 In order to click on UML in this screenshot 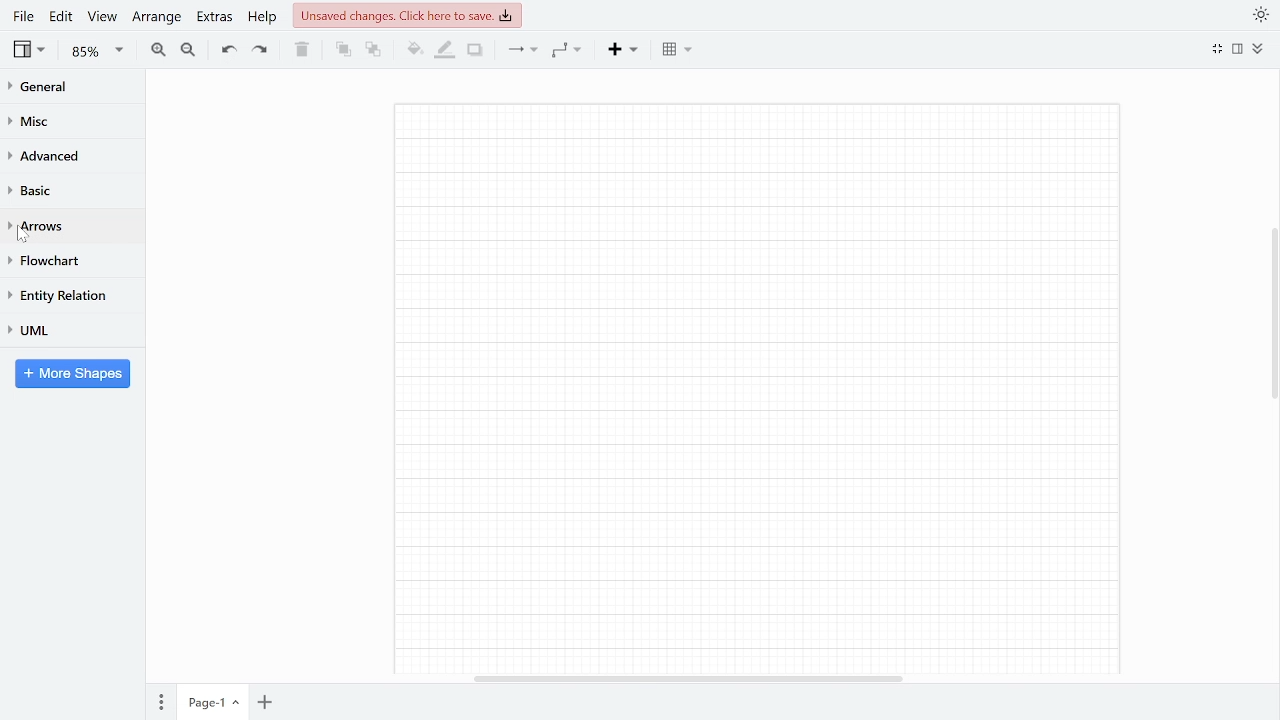, I will do `click(54, 330)`.